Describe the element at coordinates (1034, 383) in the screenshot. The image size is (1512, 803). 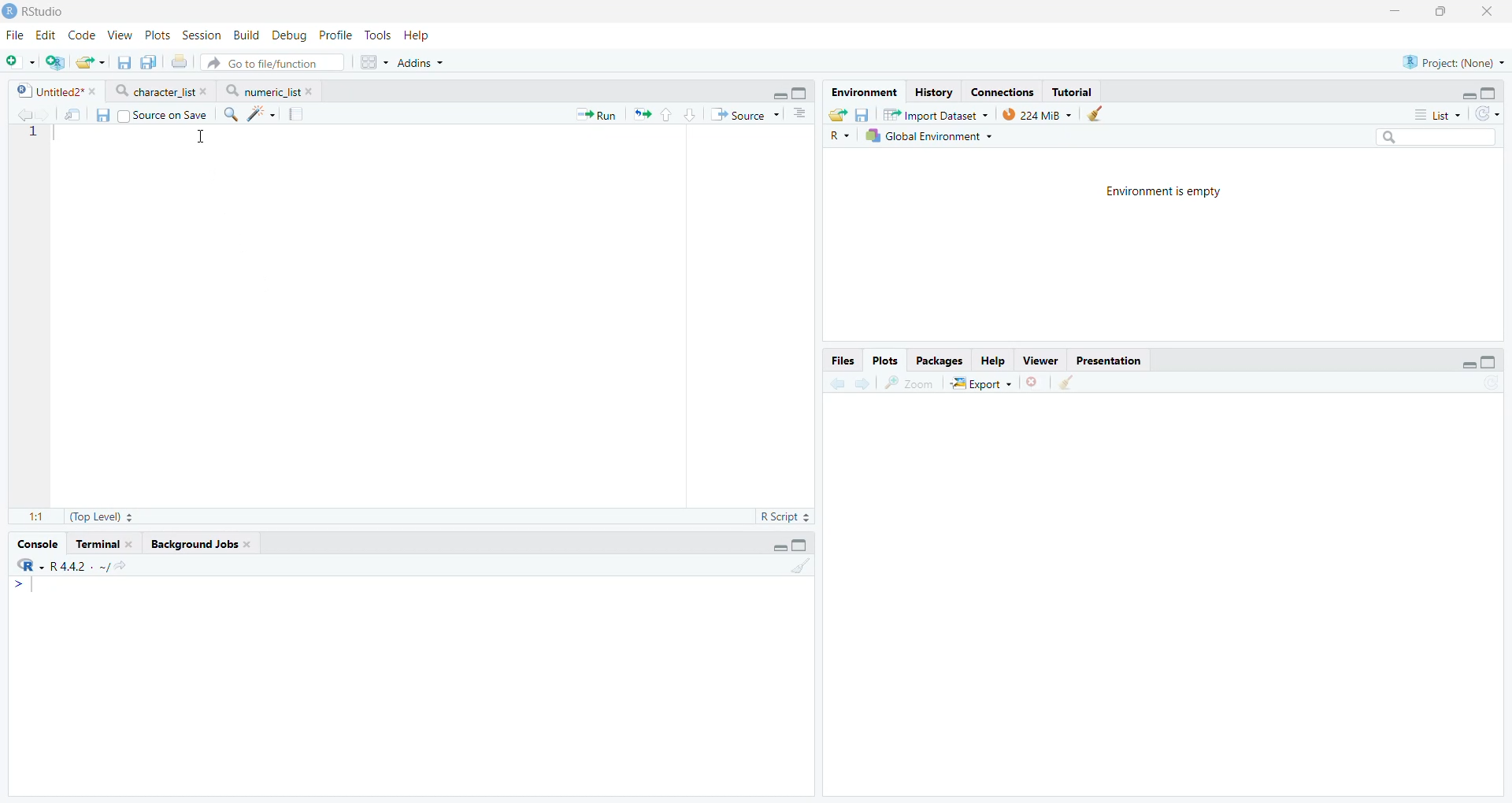
I see `Remove selected` at that location.